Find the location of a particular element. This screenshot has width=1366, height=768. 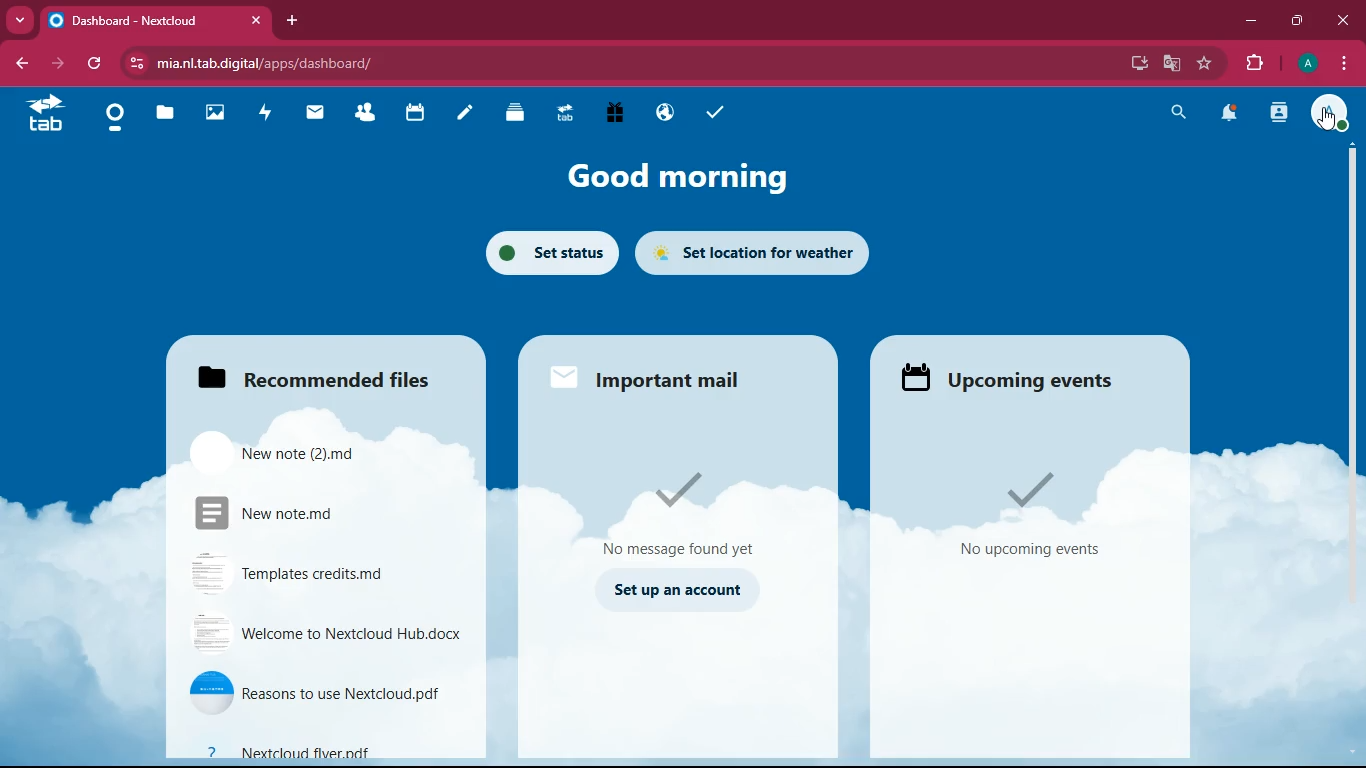

tab is located at coordinates (139, 21).